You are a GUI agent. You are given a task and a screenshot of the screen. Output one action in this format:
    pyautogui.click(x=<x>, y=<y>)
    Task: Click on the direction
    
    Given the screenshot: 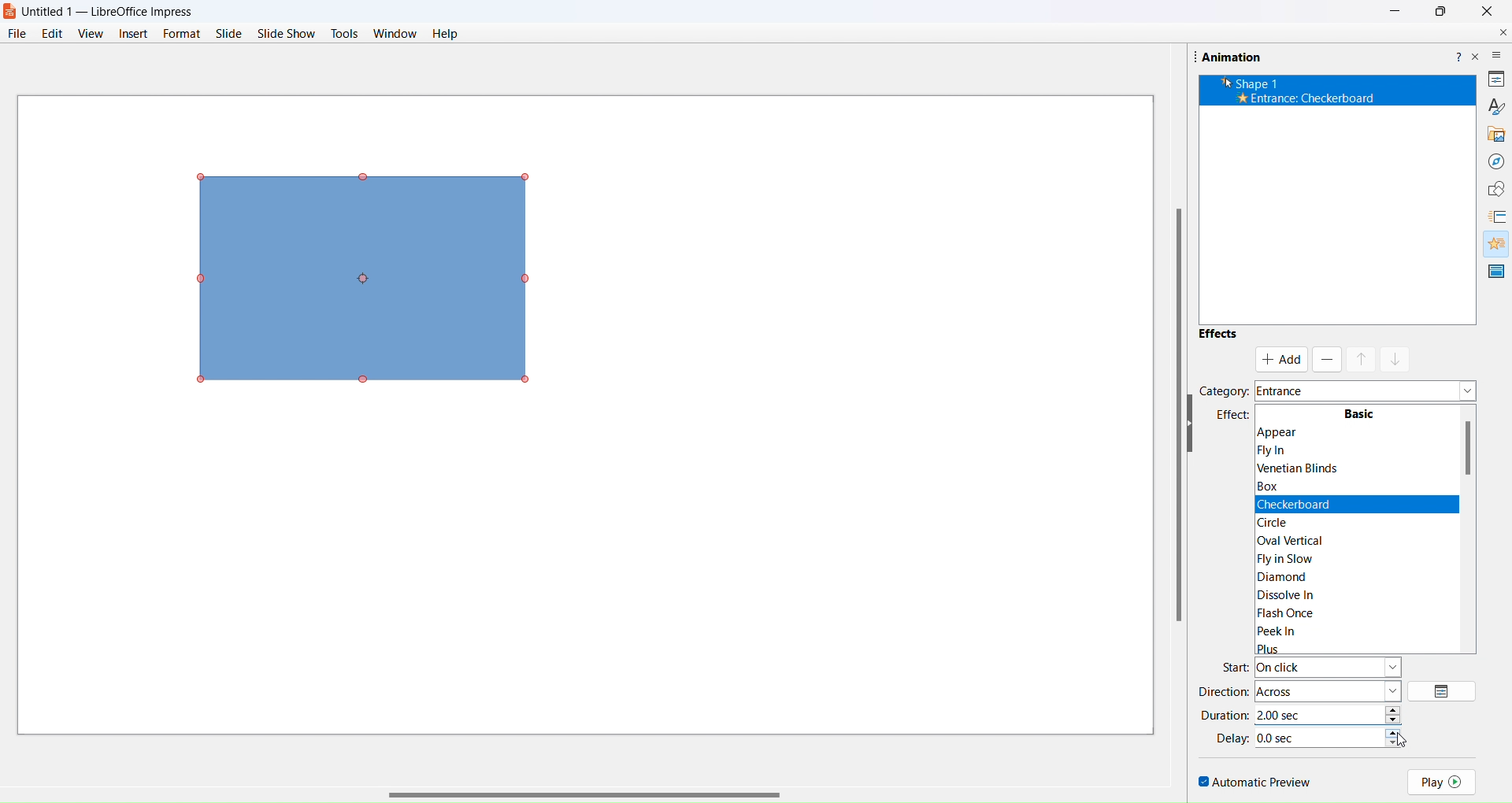 What is the action you would take?
    pyautogui.click(x=1221, y=692)
    